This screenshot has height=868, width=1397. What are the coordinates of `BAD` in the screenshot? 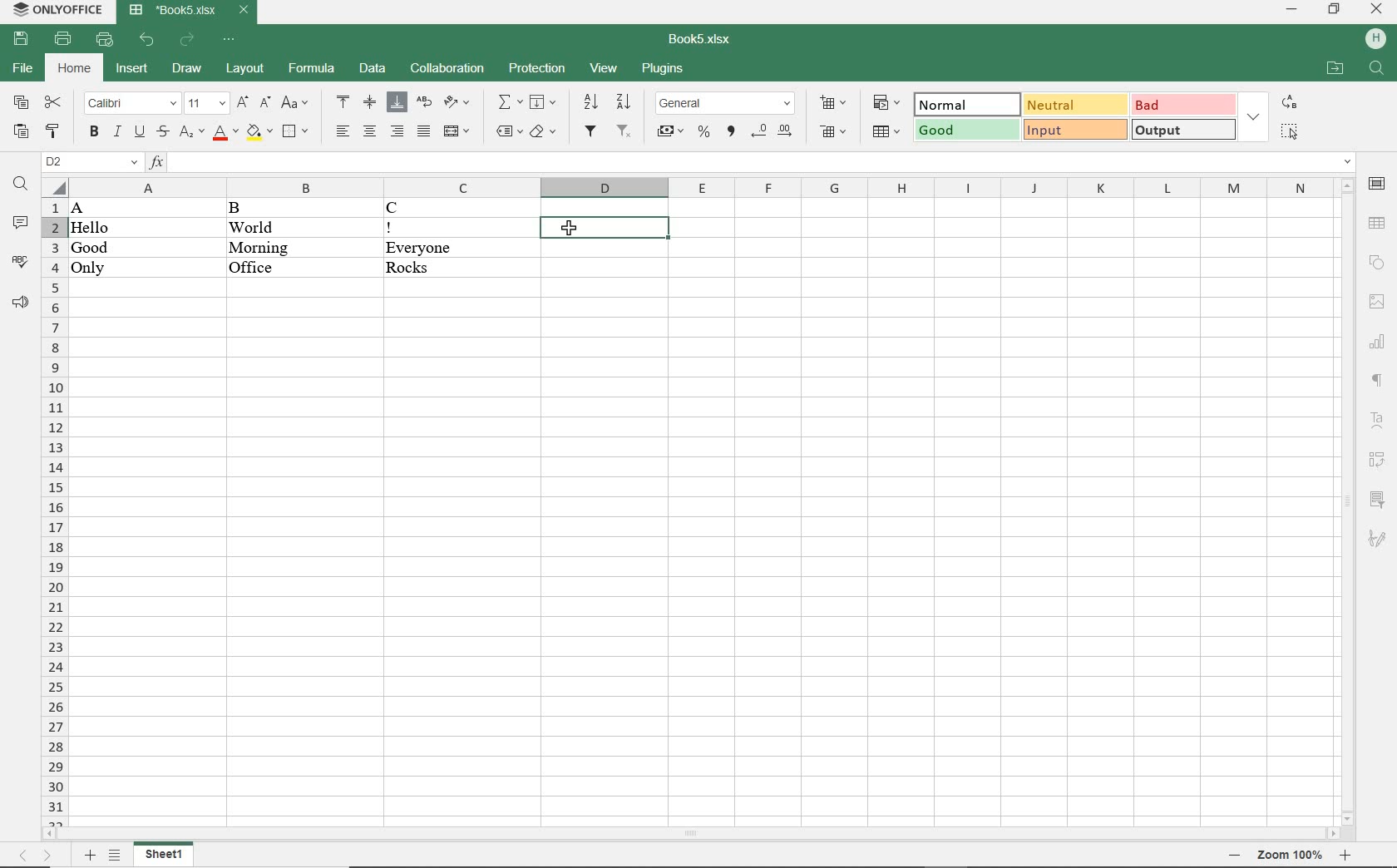 It's located at (1183, 106).